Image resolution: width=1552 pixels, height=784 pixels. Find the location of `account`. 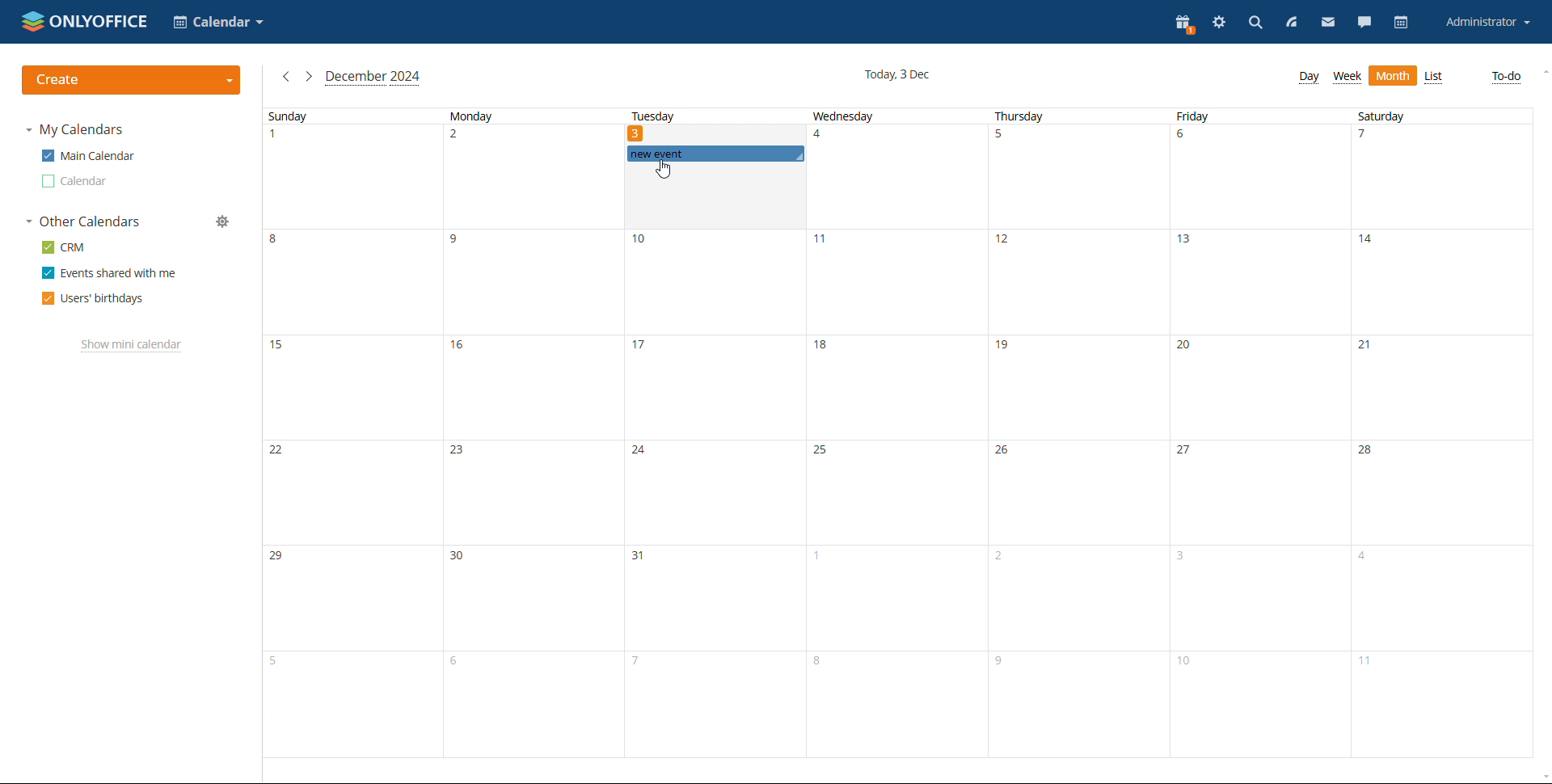

account is located at coordinates (1489, 23).